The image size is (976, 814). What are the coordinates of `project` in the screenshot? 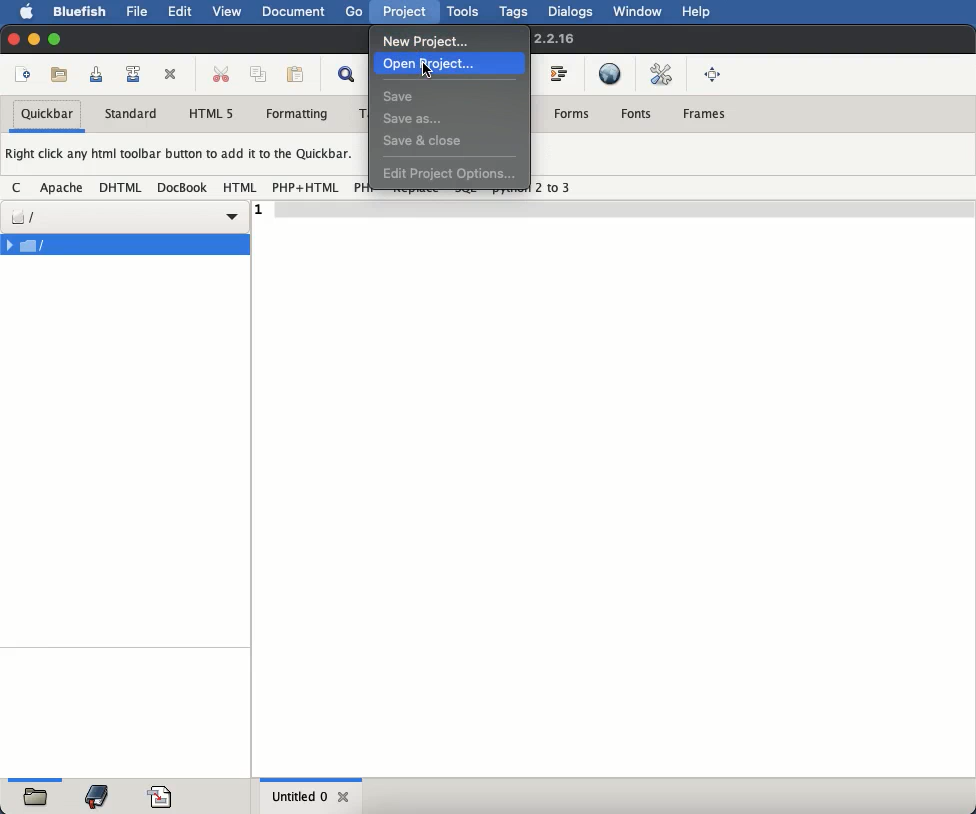 It's located at (406, 13).